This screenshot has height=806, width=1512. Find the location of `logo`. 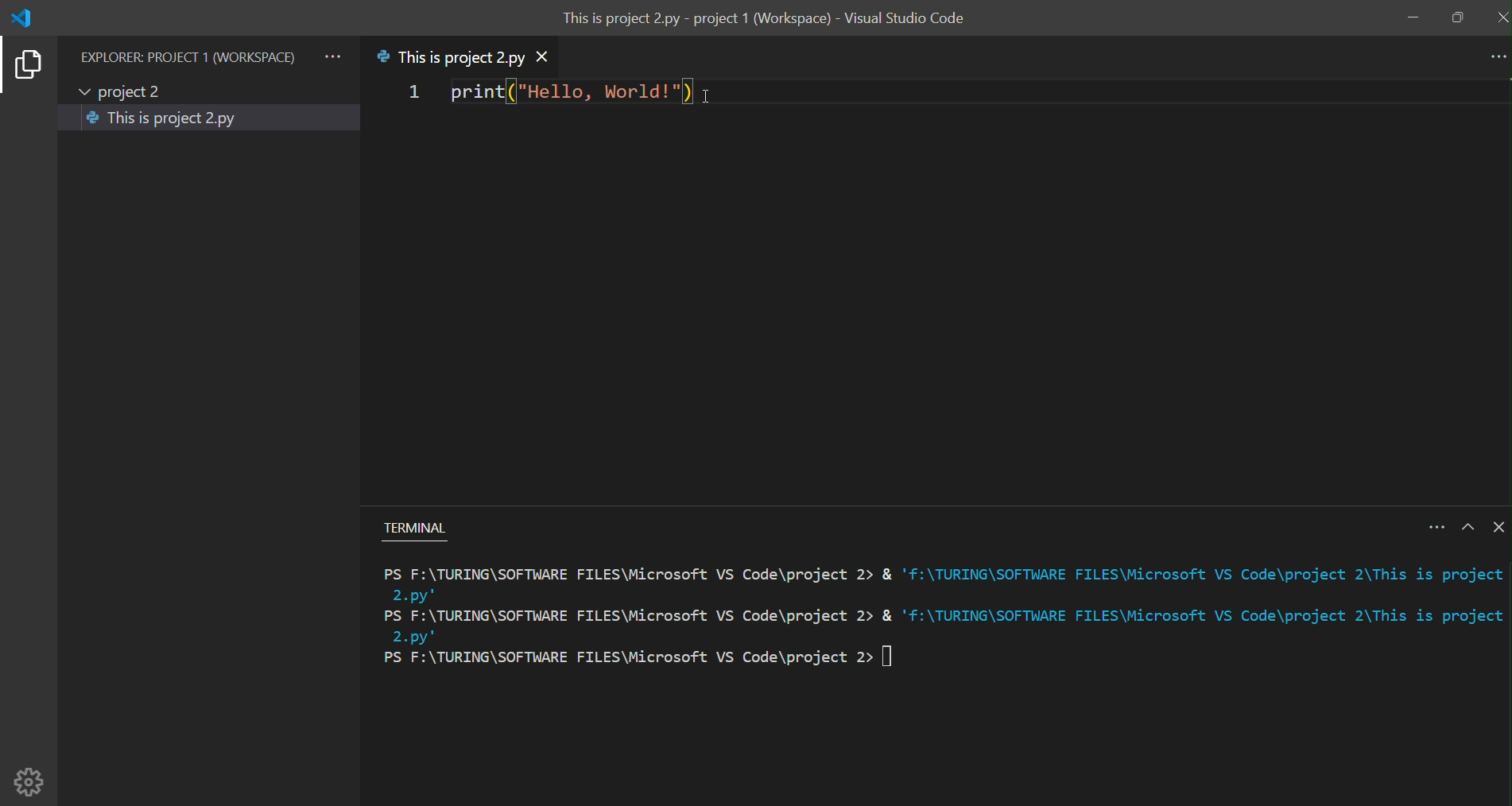

logo is located at coordinates (22, 18).